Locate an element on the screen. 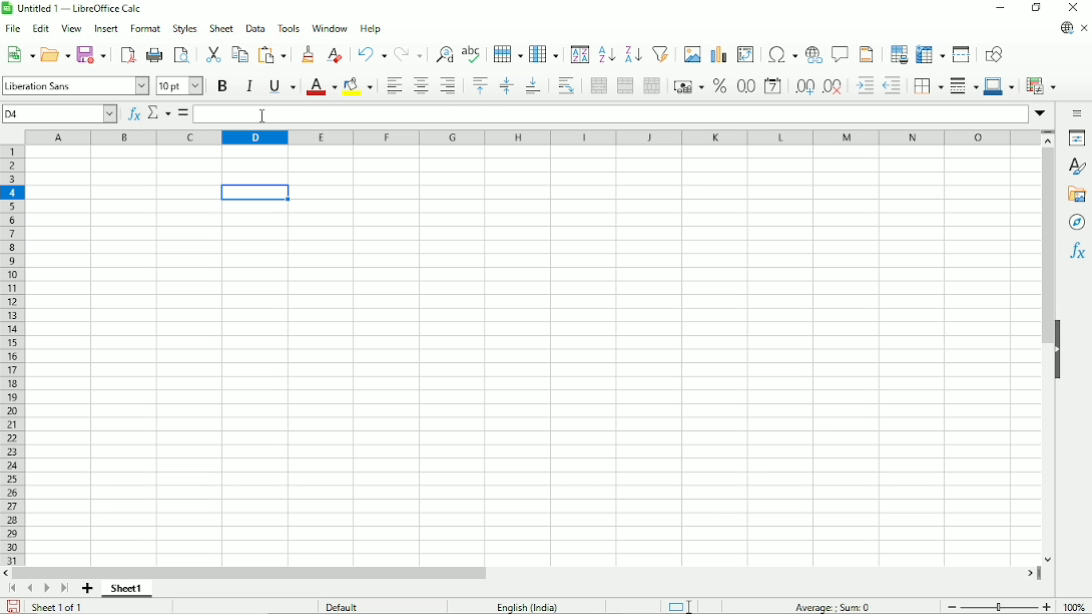  Redo is located at coordinates (410, 55).